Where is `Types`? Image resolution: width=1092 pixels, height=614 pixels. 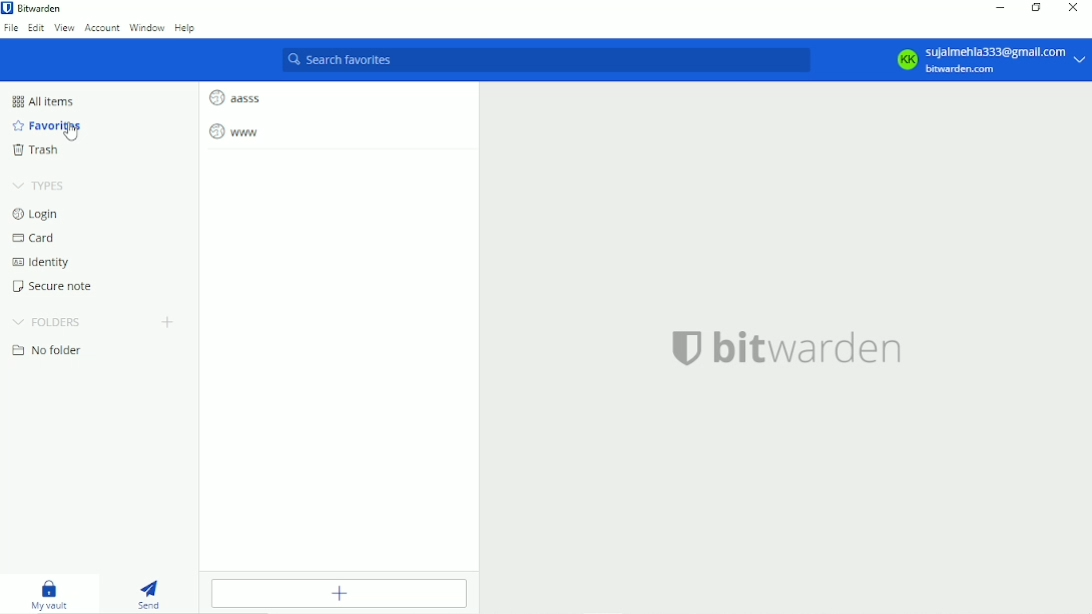
Types is located at coordinates (40, 185).